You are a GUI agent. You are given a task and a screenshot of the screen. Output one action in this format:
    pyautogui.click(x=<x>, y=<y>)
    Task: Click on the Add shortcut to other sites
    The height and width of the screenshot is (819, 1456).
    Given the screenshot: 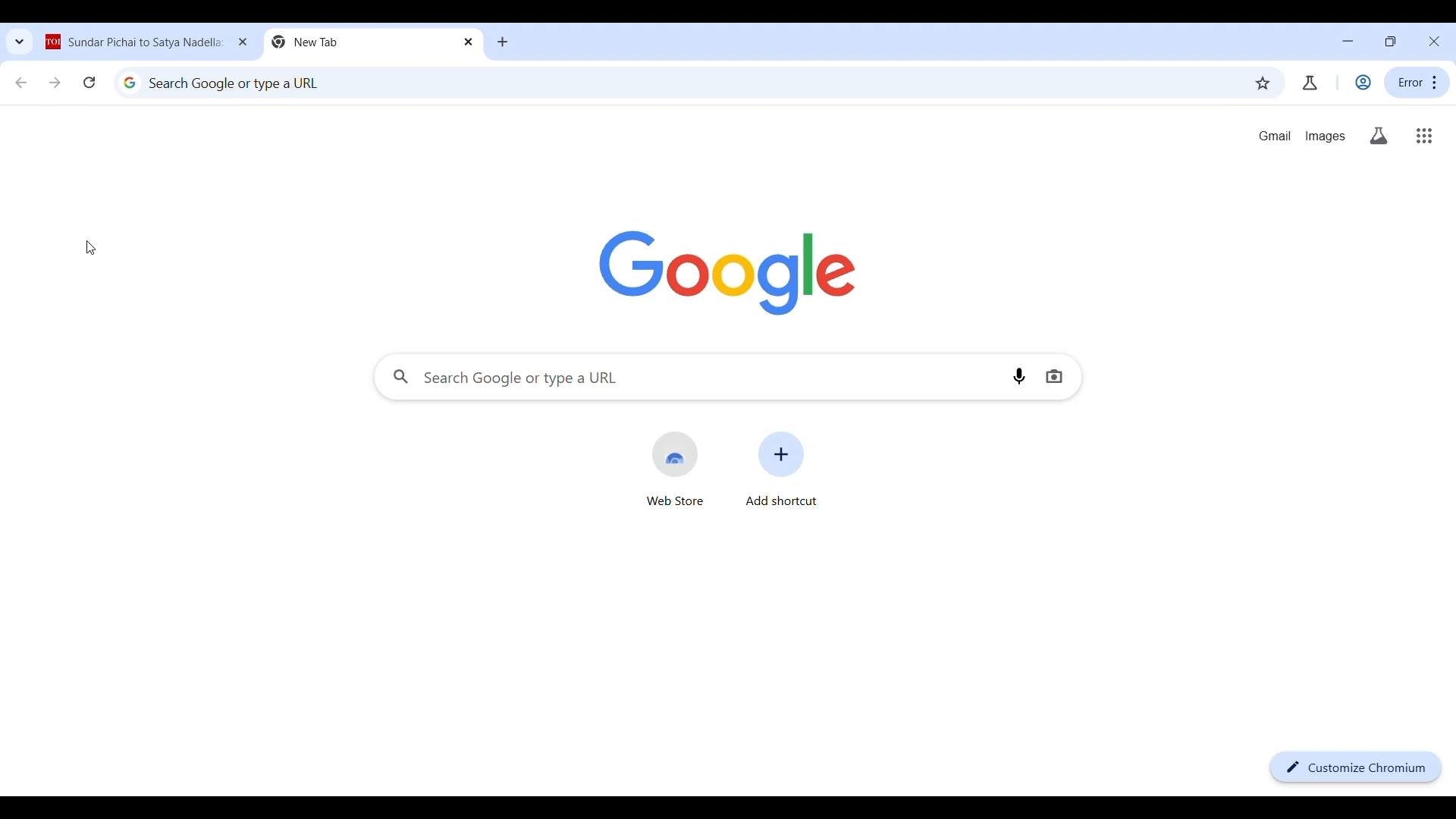 What is the action you would take?
    pyautogui.click(x=782, y=469)
    